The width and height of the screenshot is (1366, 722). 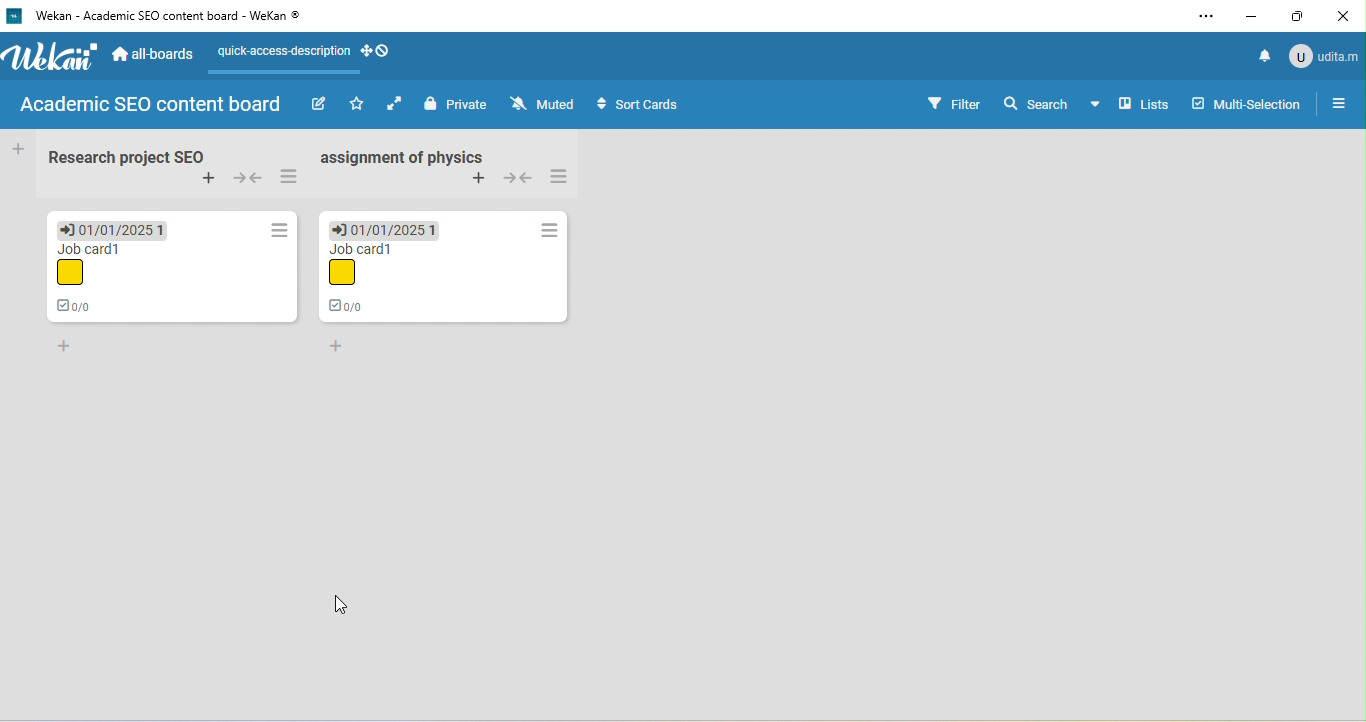 What do you see at coordinates (1261, 55) in the screenshot?
I see `notification` at bounding box center [1261, 55].